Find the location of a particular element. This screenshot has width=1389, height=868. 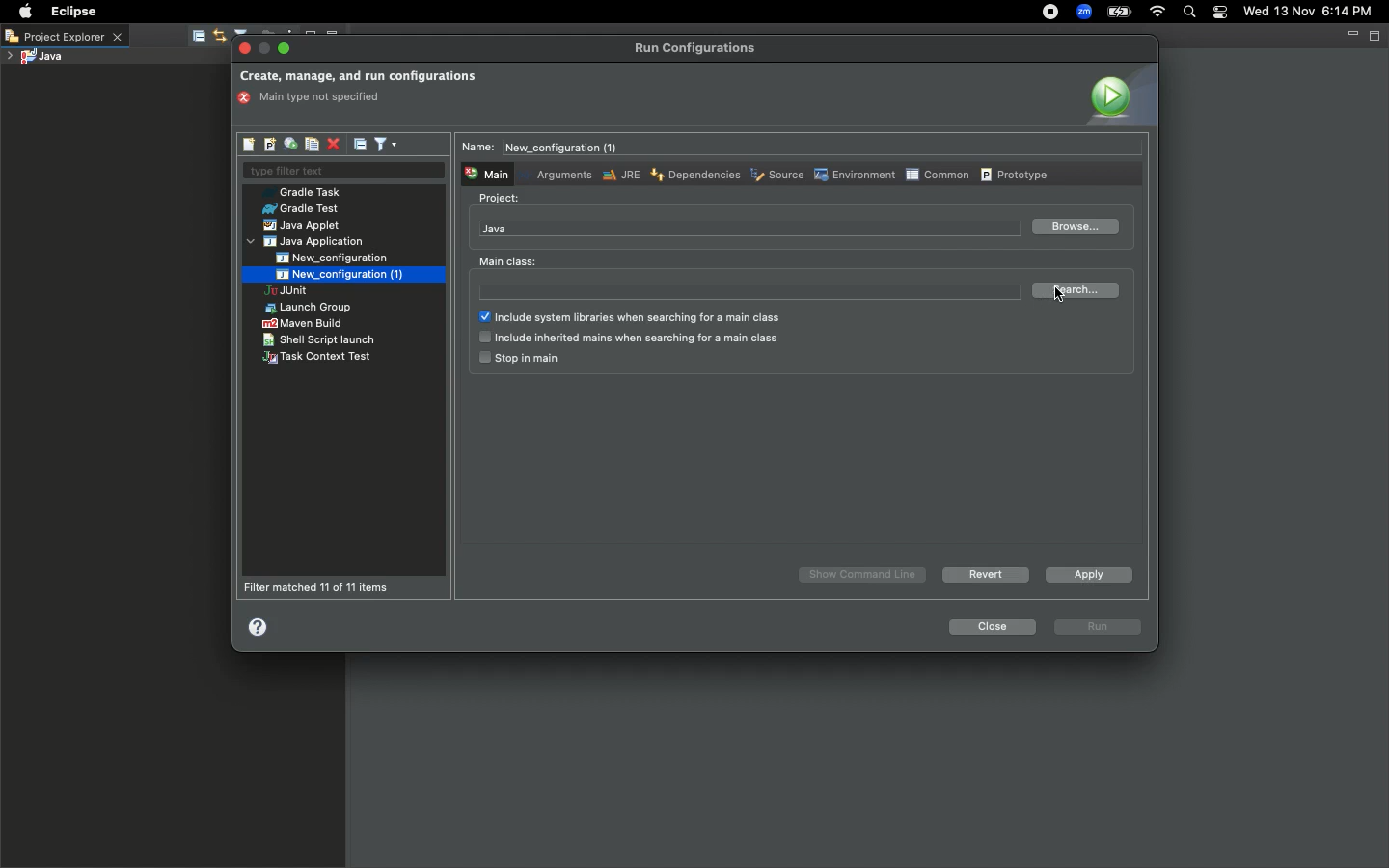

Revert is located at coordinates (983, 574).